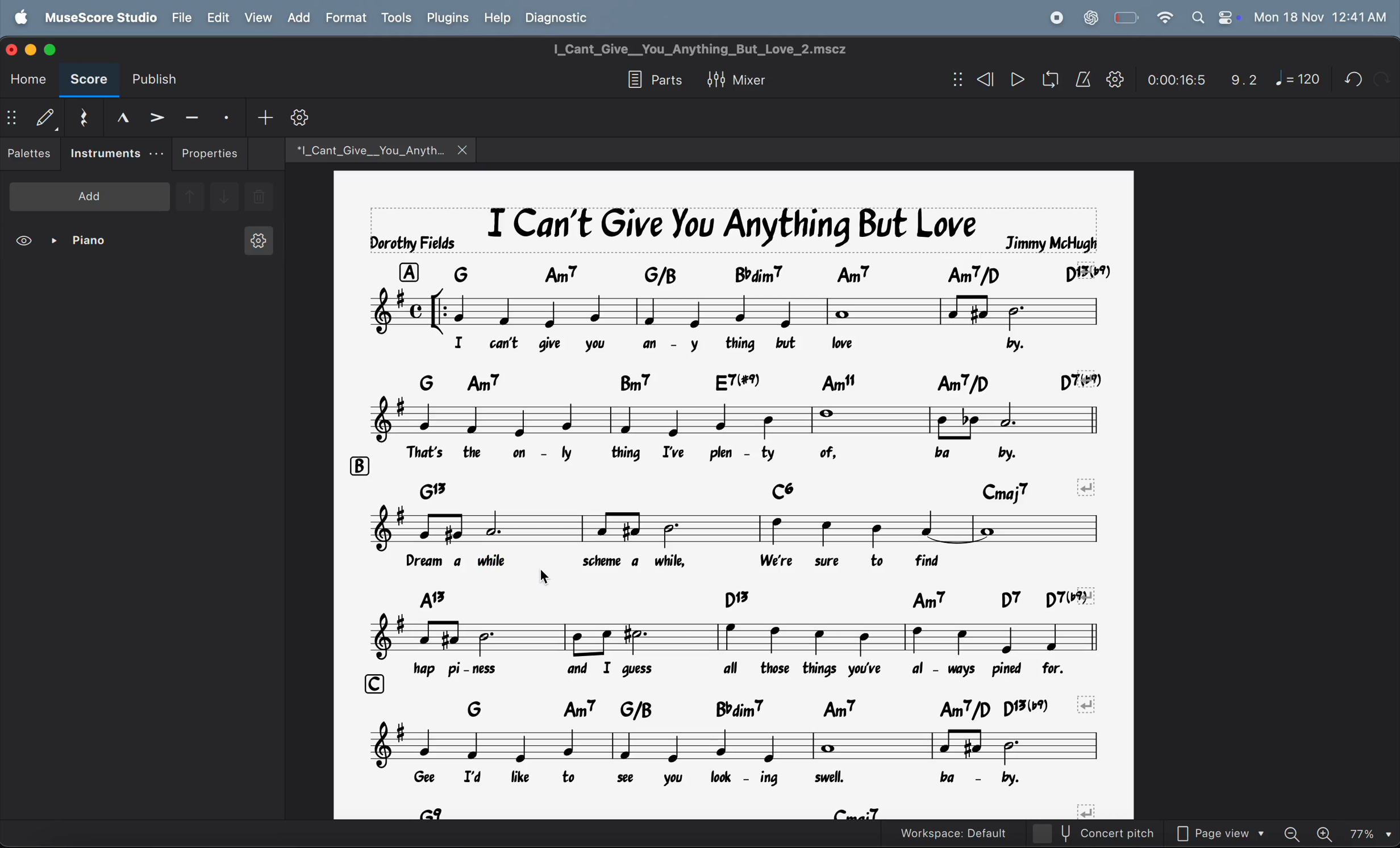  Describe the element at coordinates (369, 683) in the screenshot. I see `row` at that location.